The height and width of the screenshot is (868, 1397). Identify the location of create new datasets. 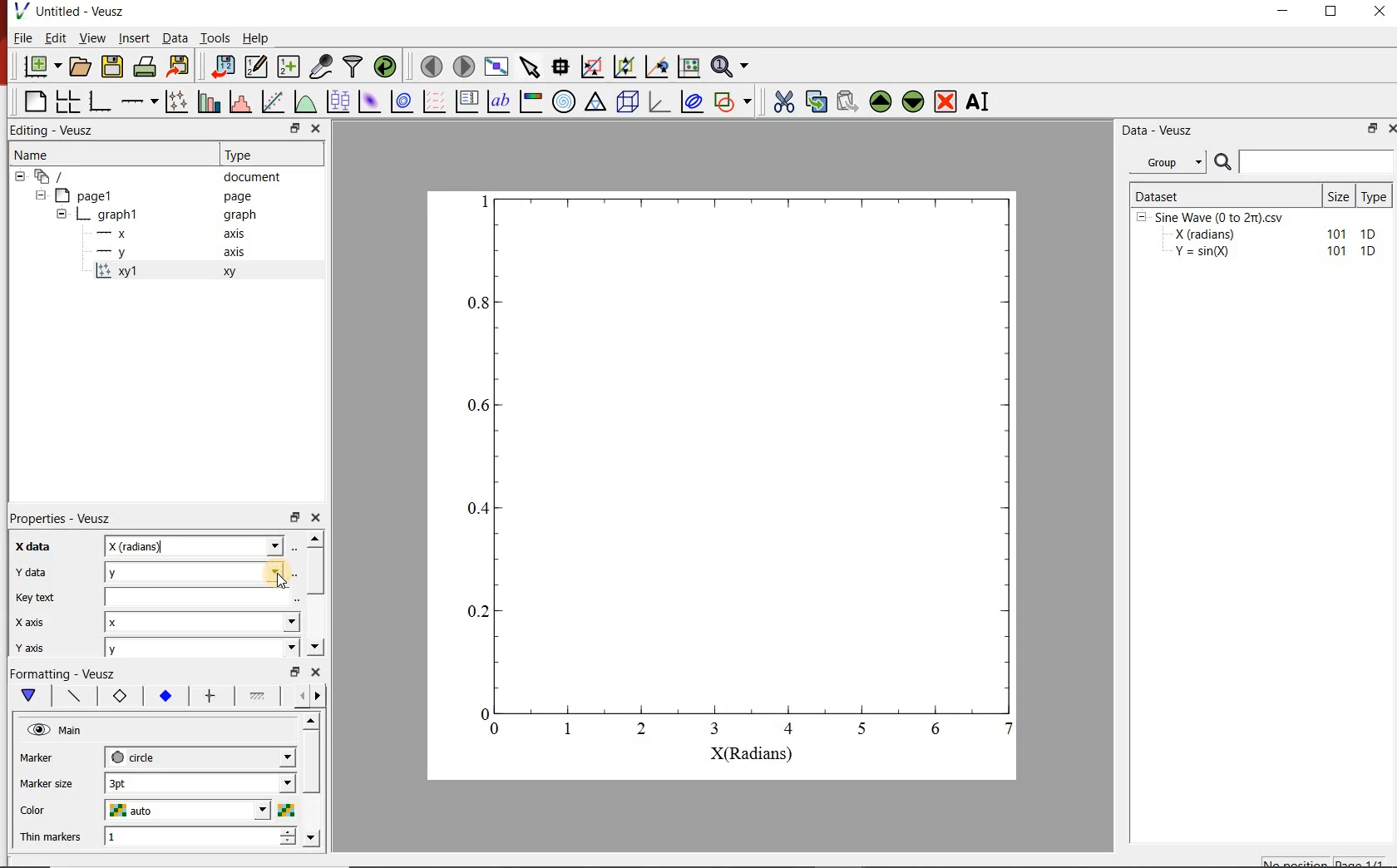
(289, 67).